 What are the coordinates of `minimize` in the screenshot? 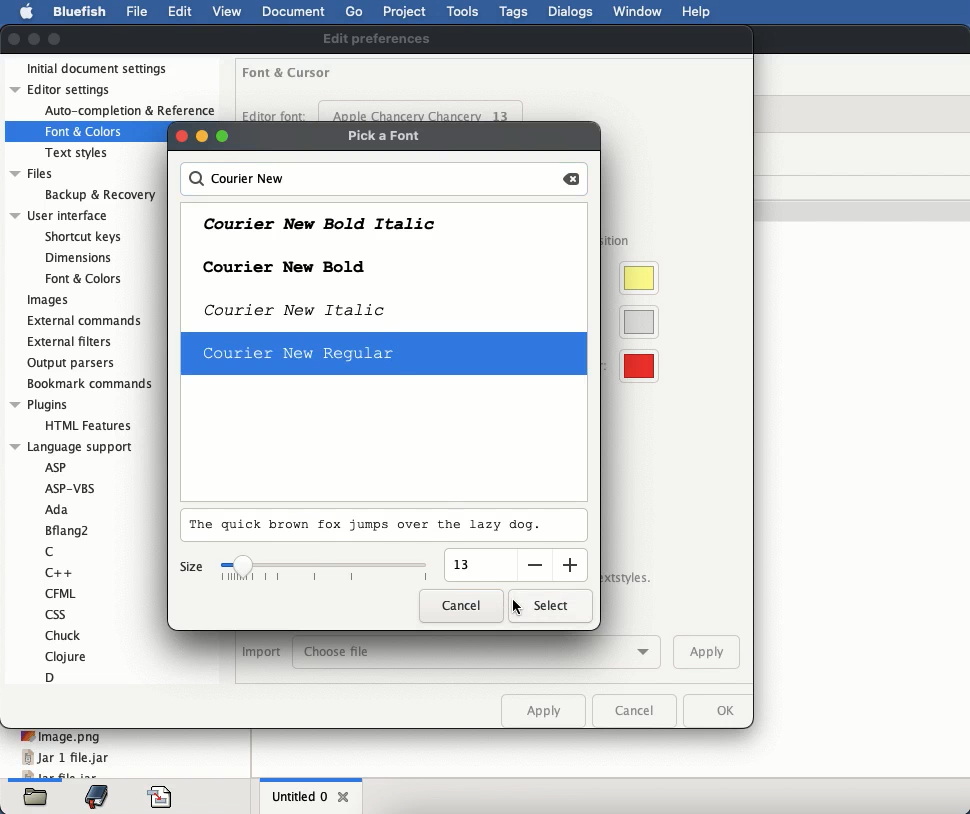 It's located at (34, 39).